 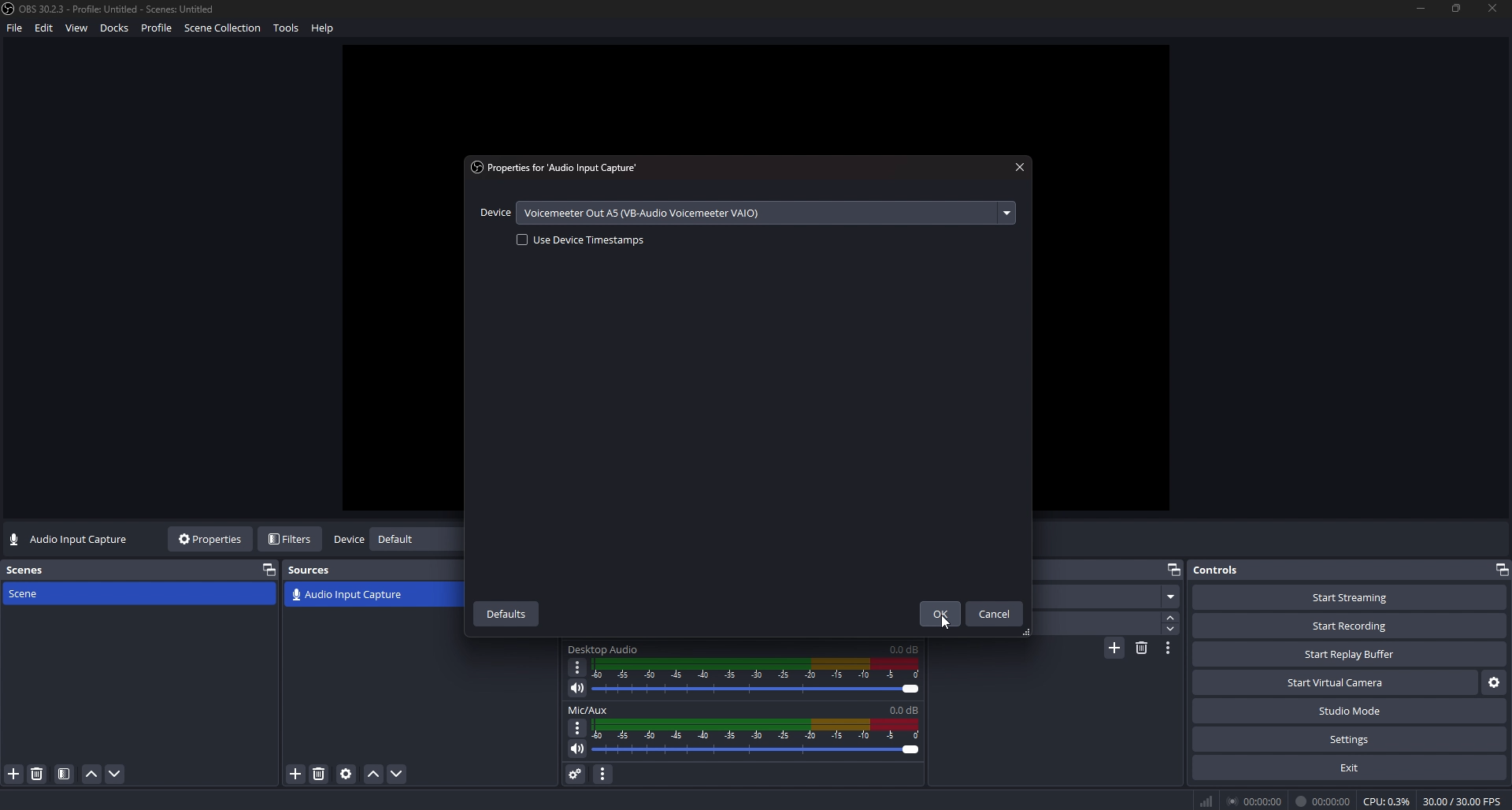 What do you see at coordinates (648, 211) in the screenshot?
I see `voicemeeter out a5` at bounding box center [648, 211].